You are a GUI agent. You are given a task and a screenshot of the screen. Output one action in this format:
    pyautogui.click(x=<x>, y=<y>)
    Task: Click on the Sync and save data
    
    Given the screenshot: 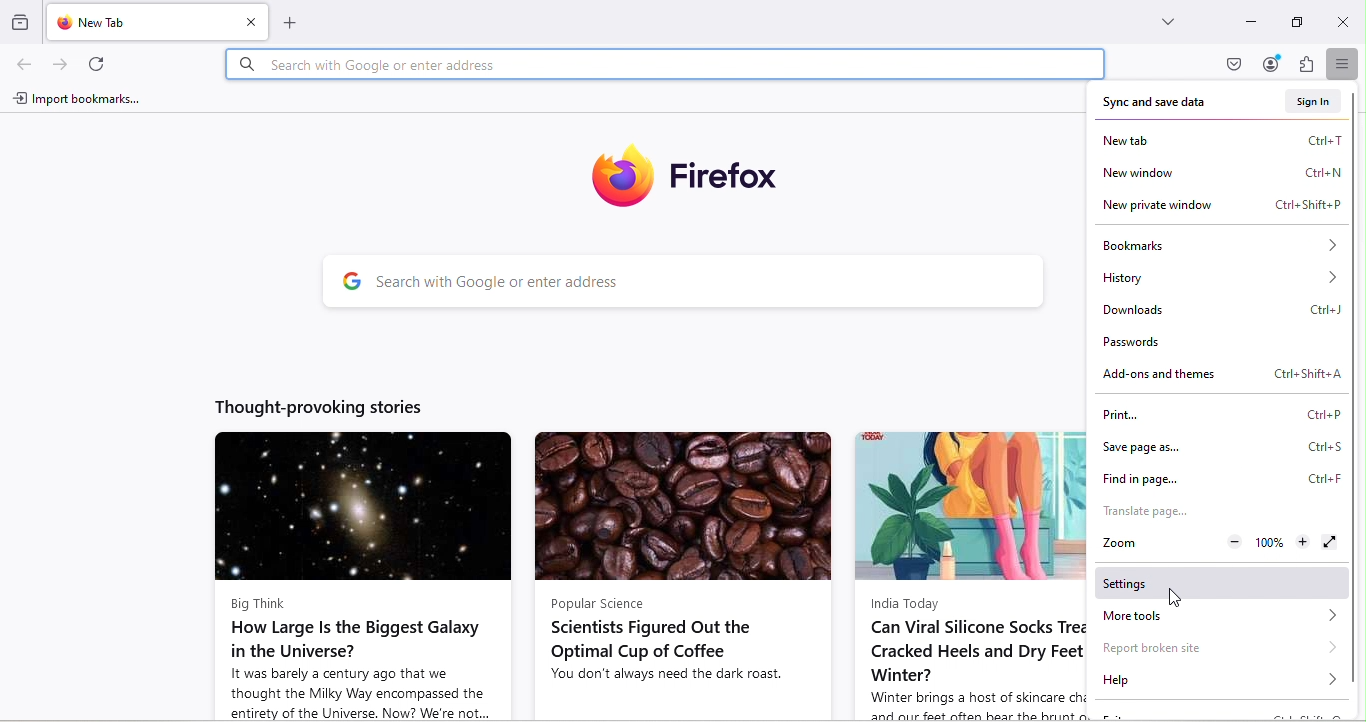 What is the action you would take?
    pyautogui.click(x=1153, y=100)
    